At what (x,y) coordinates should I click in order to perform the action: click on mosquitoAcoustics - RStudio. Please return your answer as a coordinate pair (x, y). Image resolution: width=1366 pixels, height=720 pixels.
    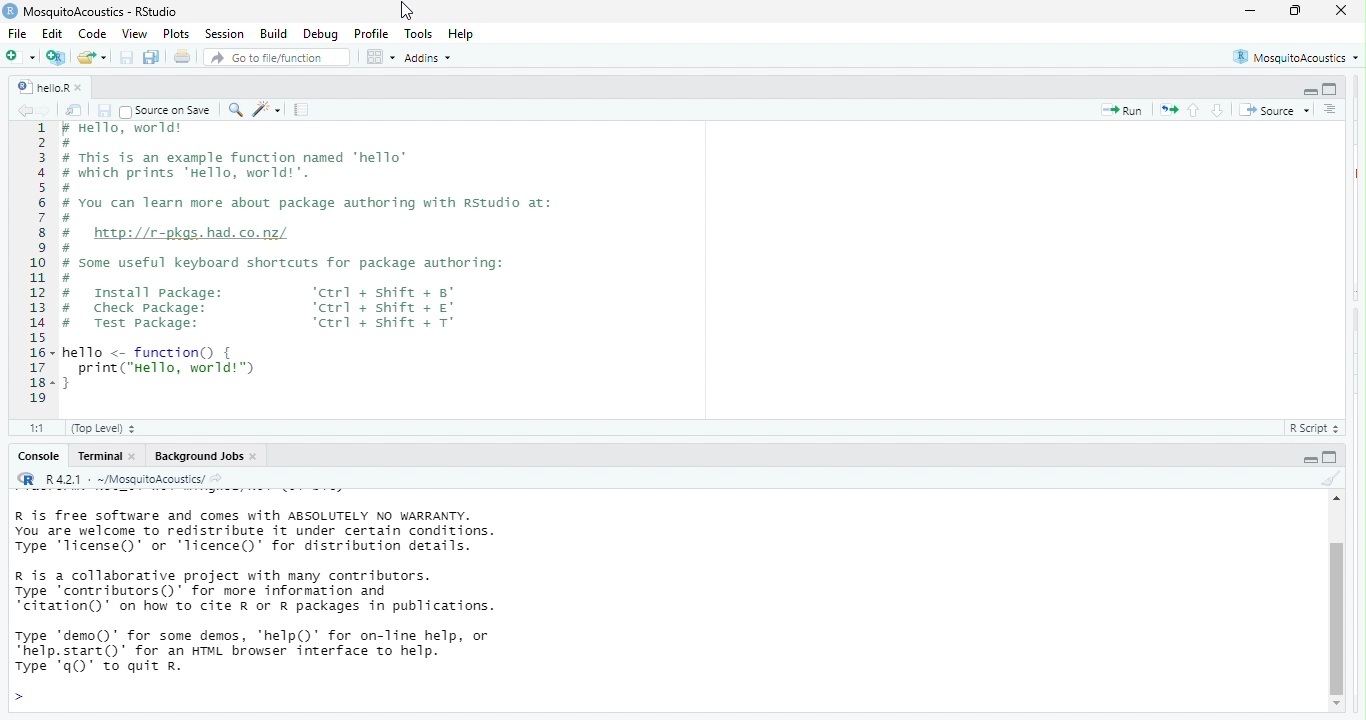
    Looking at the image, I should click on (110, 11).